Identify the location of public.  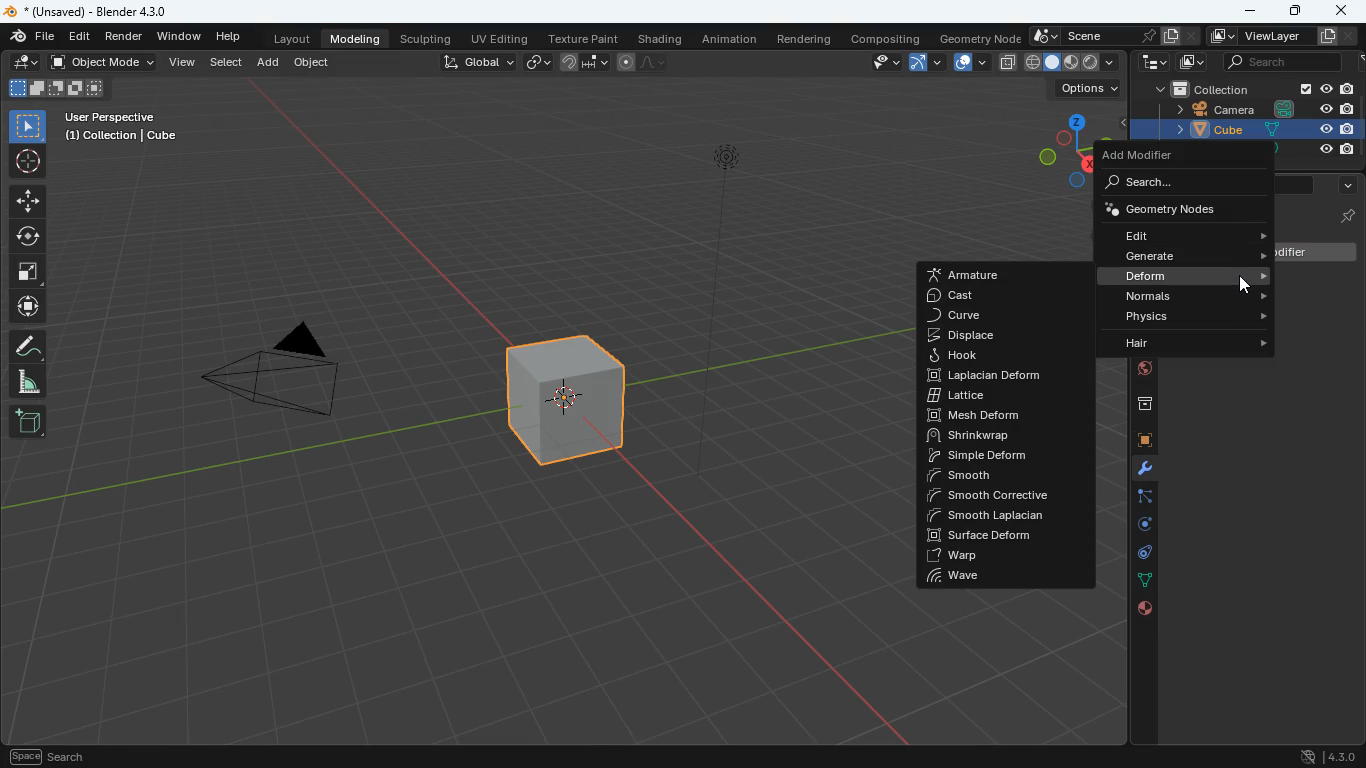
(1144, 610).